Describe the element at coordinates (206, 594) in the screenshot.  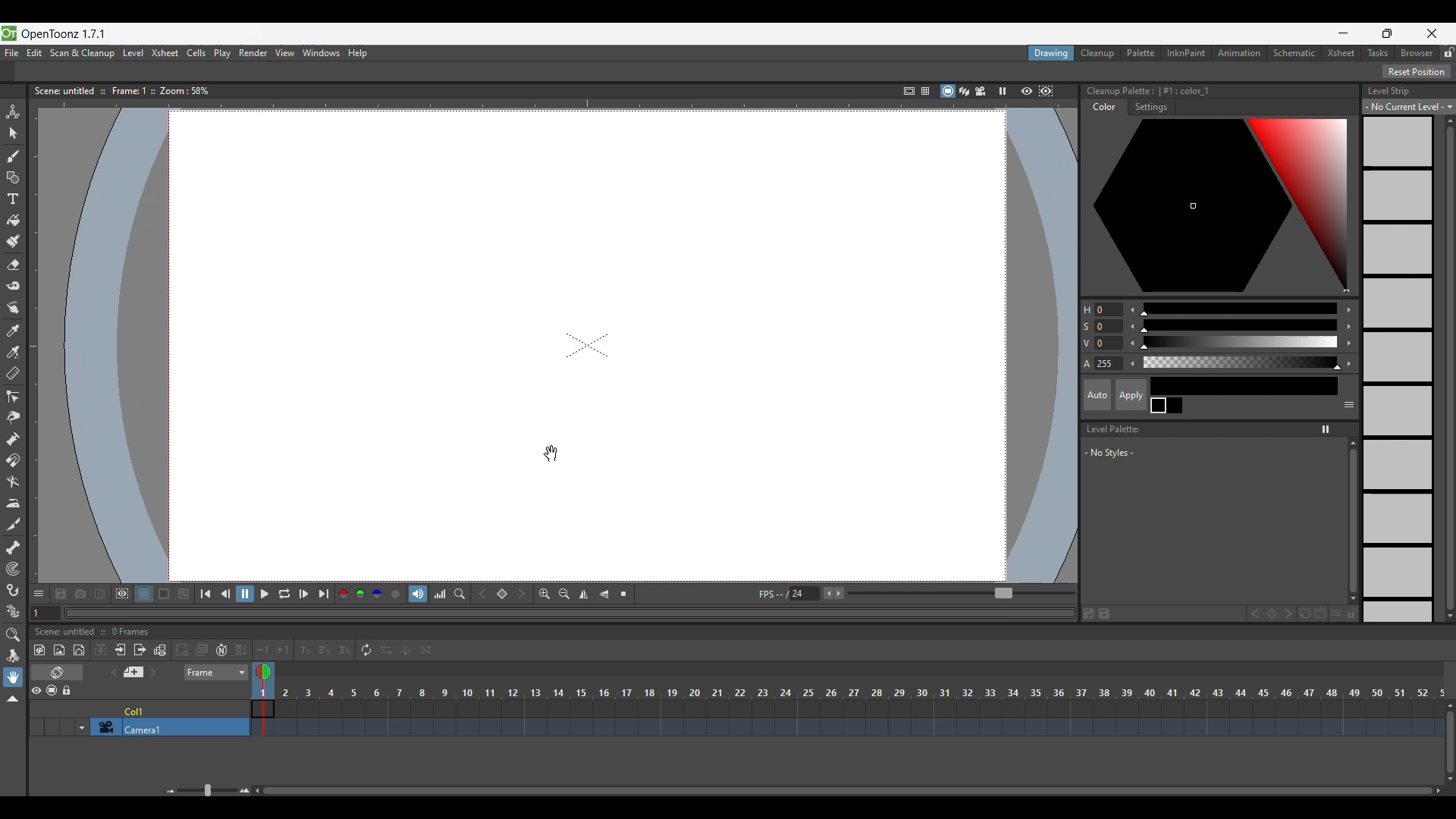
I see `First frame` at that location.